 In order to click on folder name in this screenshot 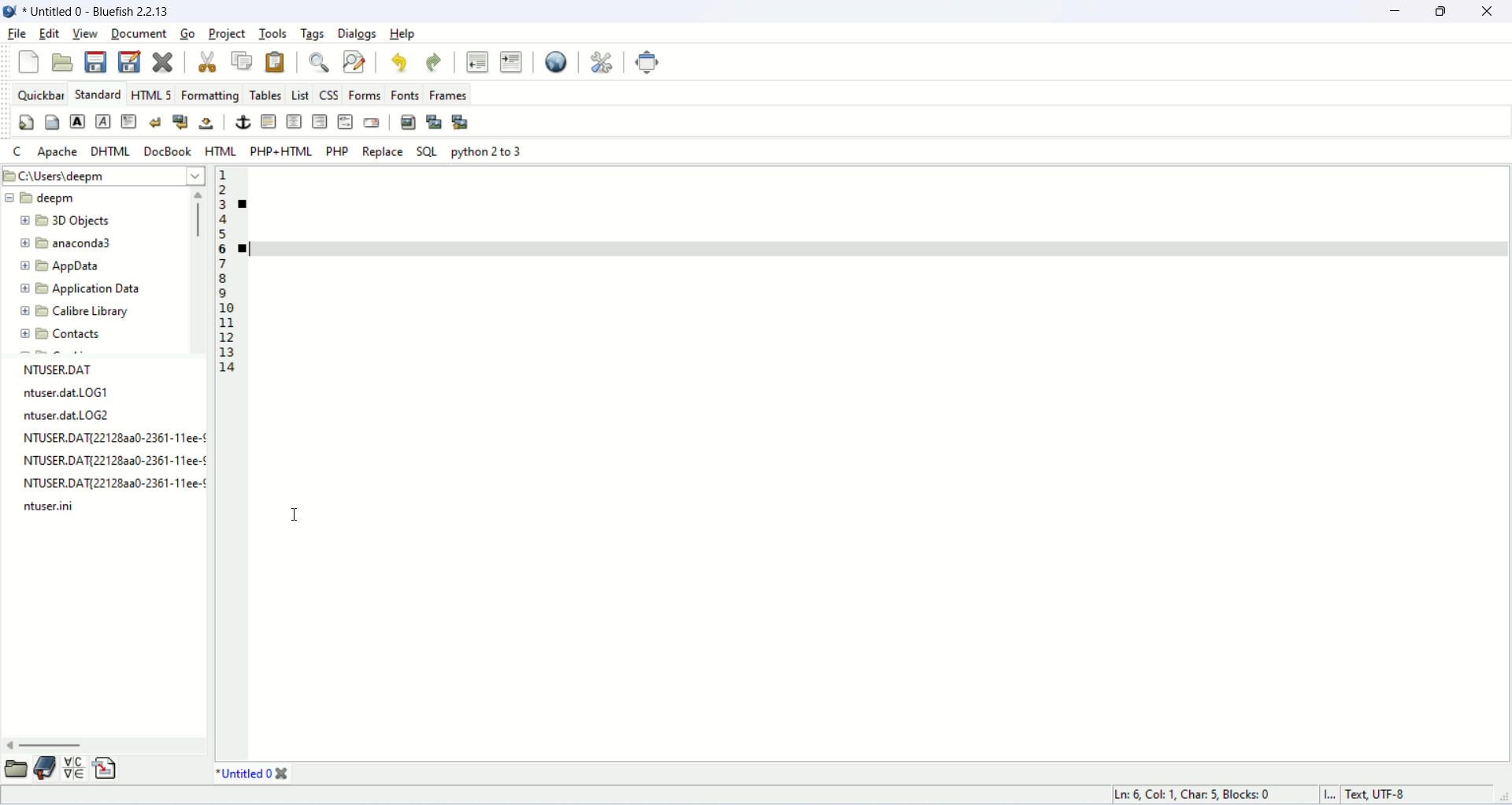, I will do `click(79, 242)`.